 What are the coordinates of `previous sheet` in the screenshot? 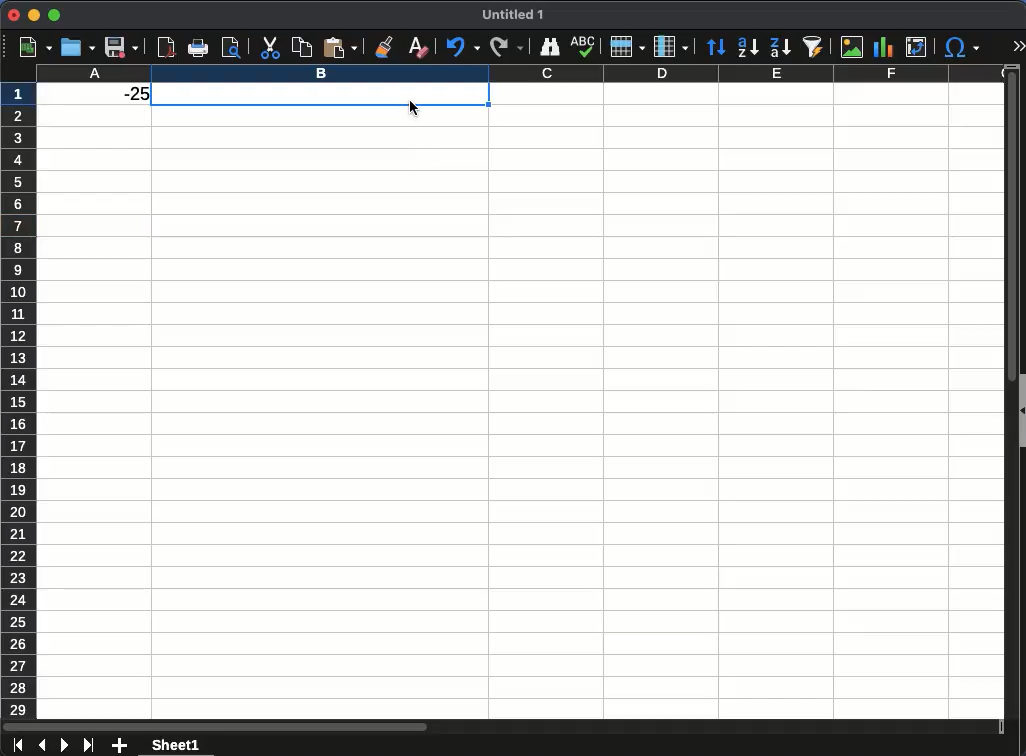 It's located at (44, 746).